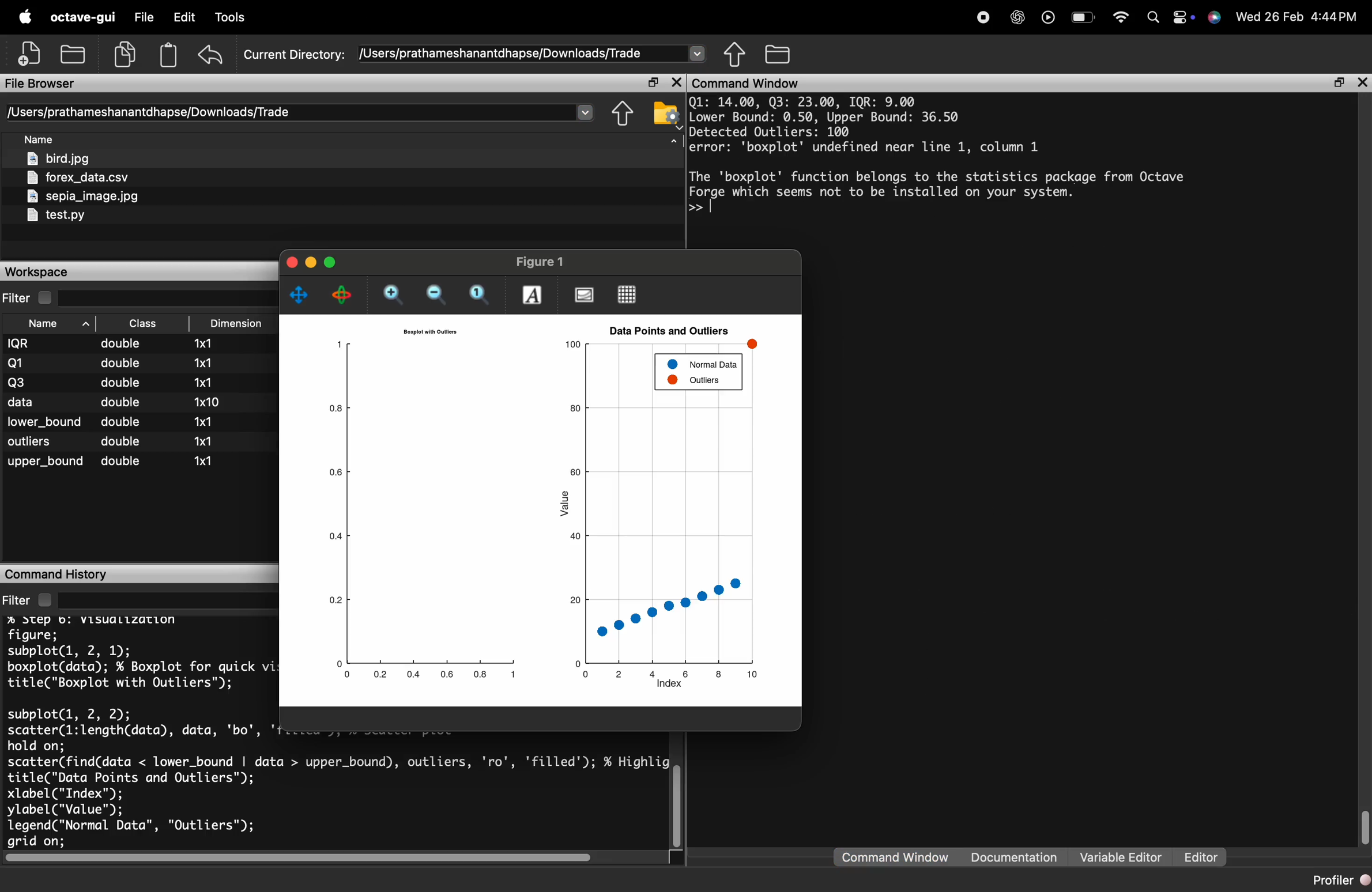  What do you see at coordinates (441, 295) in the screenshot?
I see `zoom out` at bounding box center [441, 295].